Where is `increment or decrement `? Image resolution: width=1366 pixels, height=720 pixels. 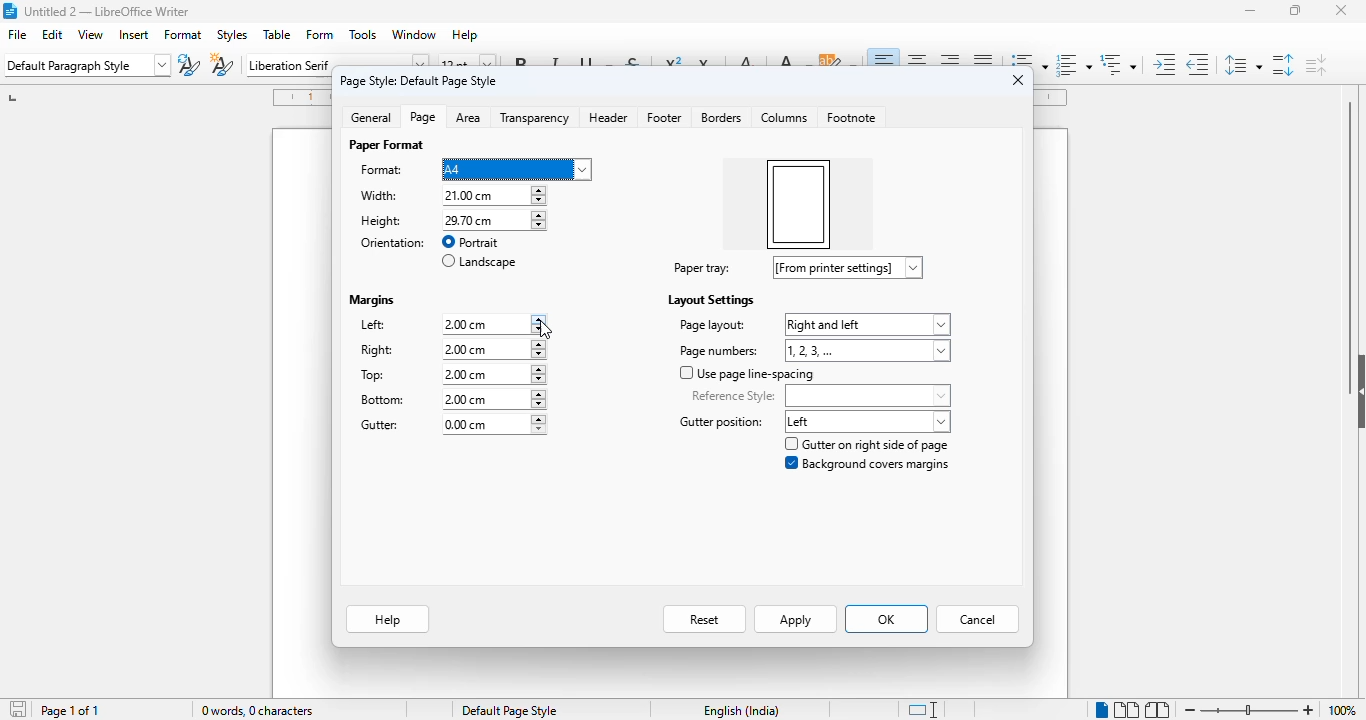 increment or decrement  is located at coordinates (542, 400).